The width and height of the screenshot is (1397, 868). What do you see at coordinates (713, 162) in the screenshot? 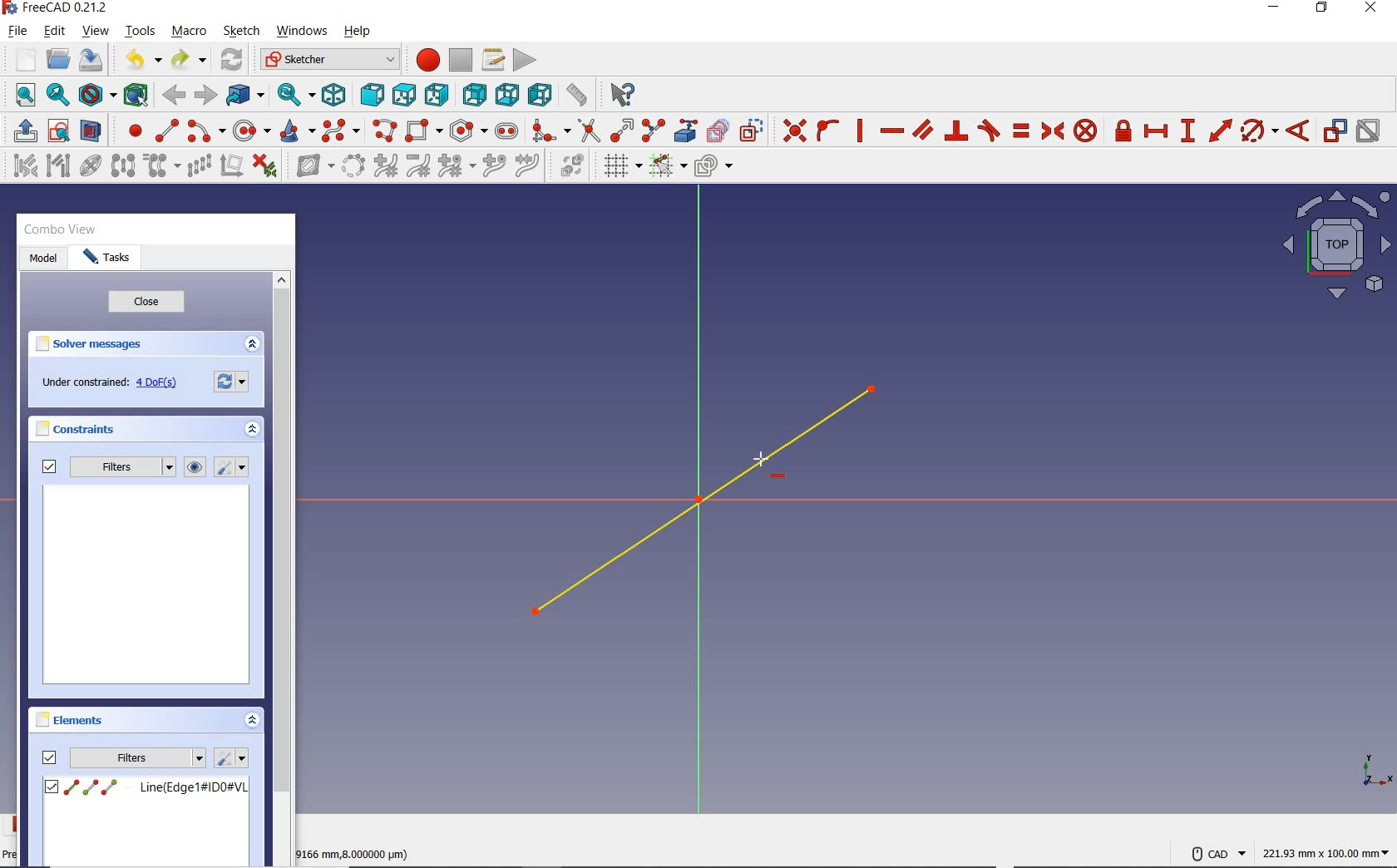
I see `CONFIGURE RENDERING ORDER` at bounding box center [713, 162].